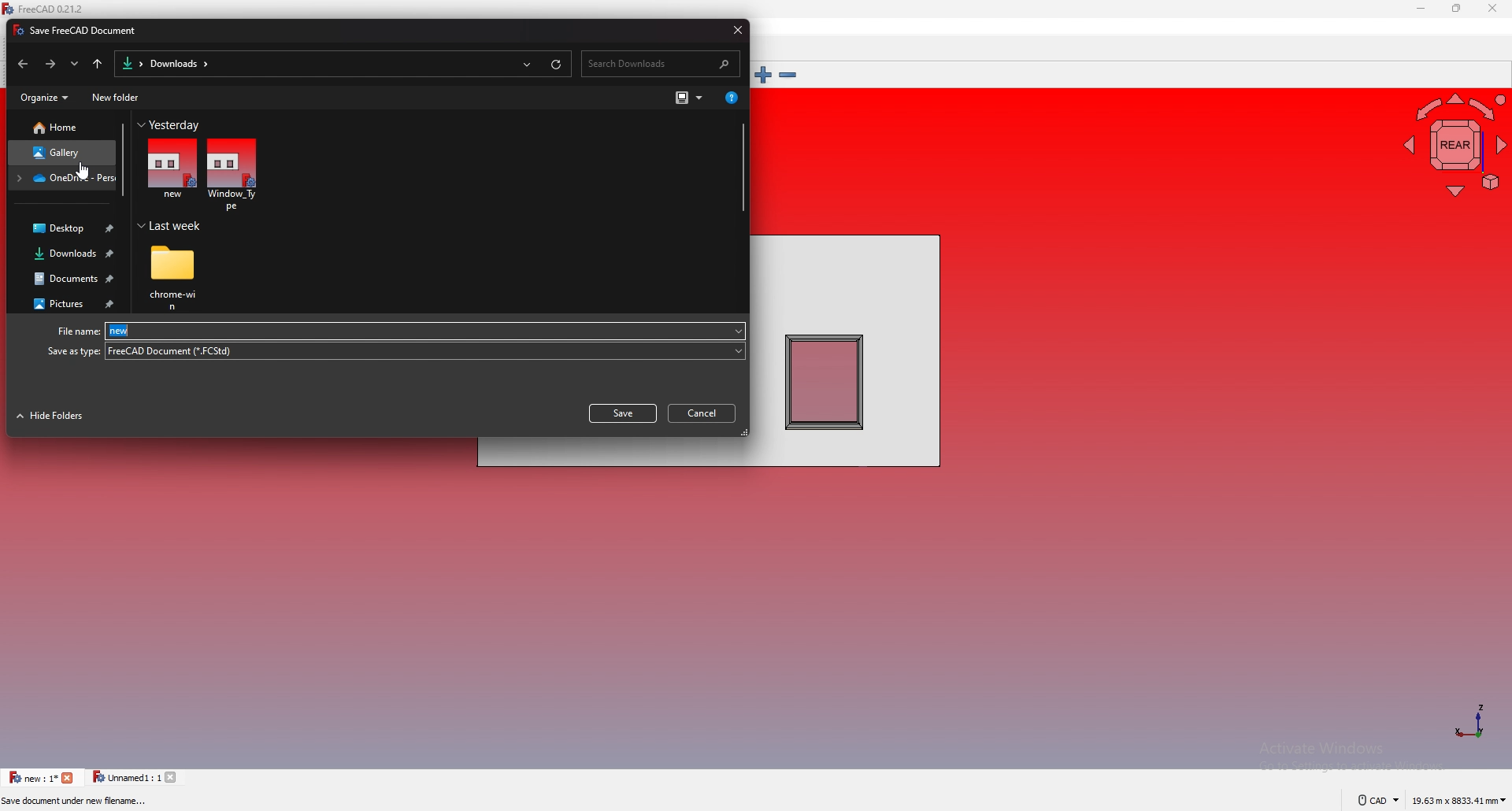  What do you see at coordinates (731, 97) in the screenshot?
I see `get help` at bounding box center [731, 97].